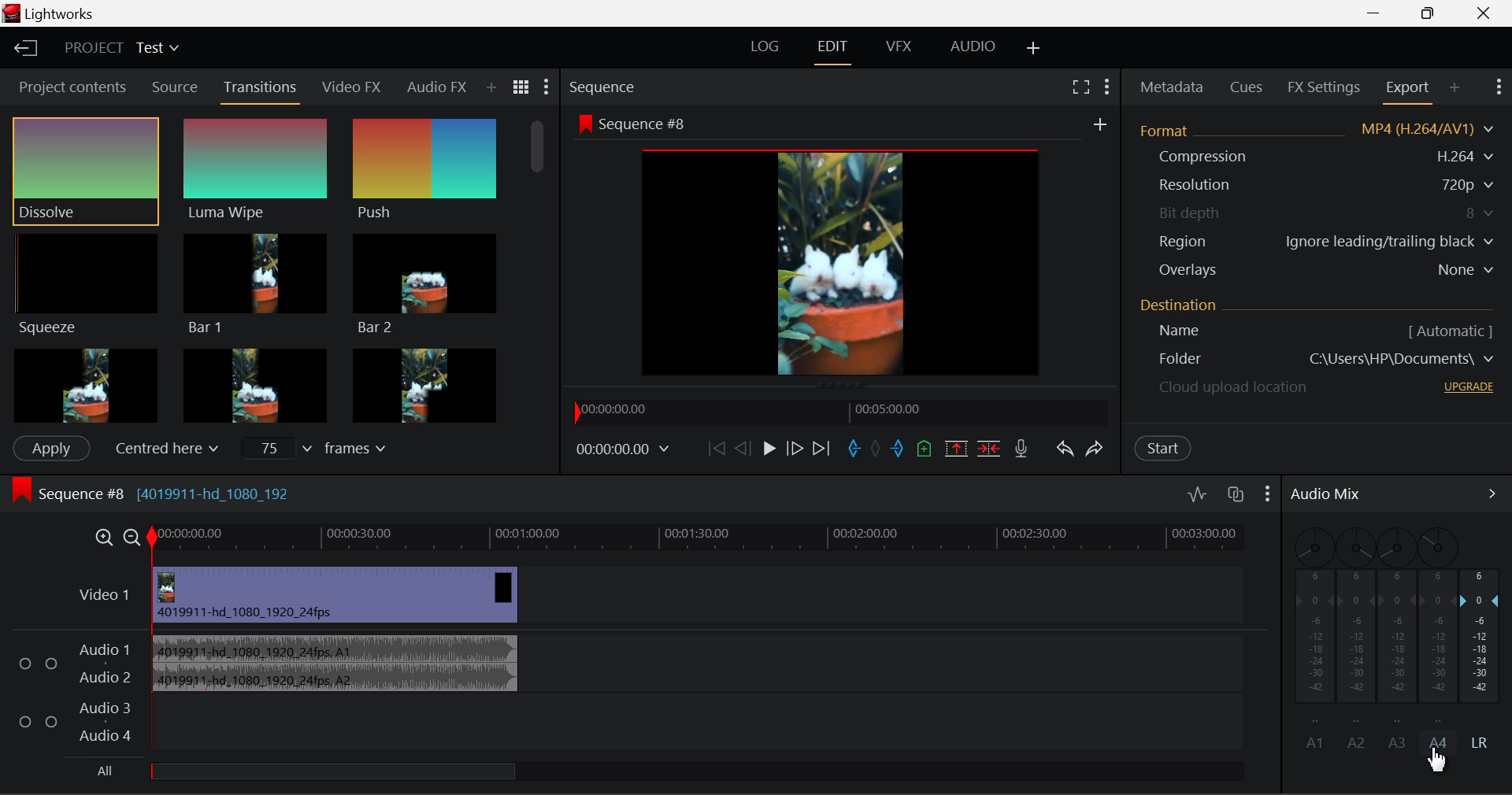 This screenshot has height=795, width=1512. What do you see at coordinates (83, 283) in the screenshot?
I see `Squeeze` at bounding box center [83, 283].